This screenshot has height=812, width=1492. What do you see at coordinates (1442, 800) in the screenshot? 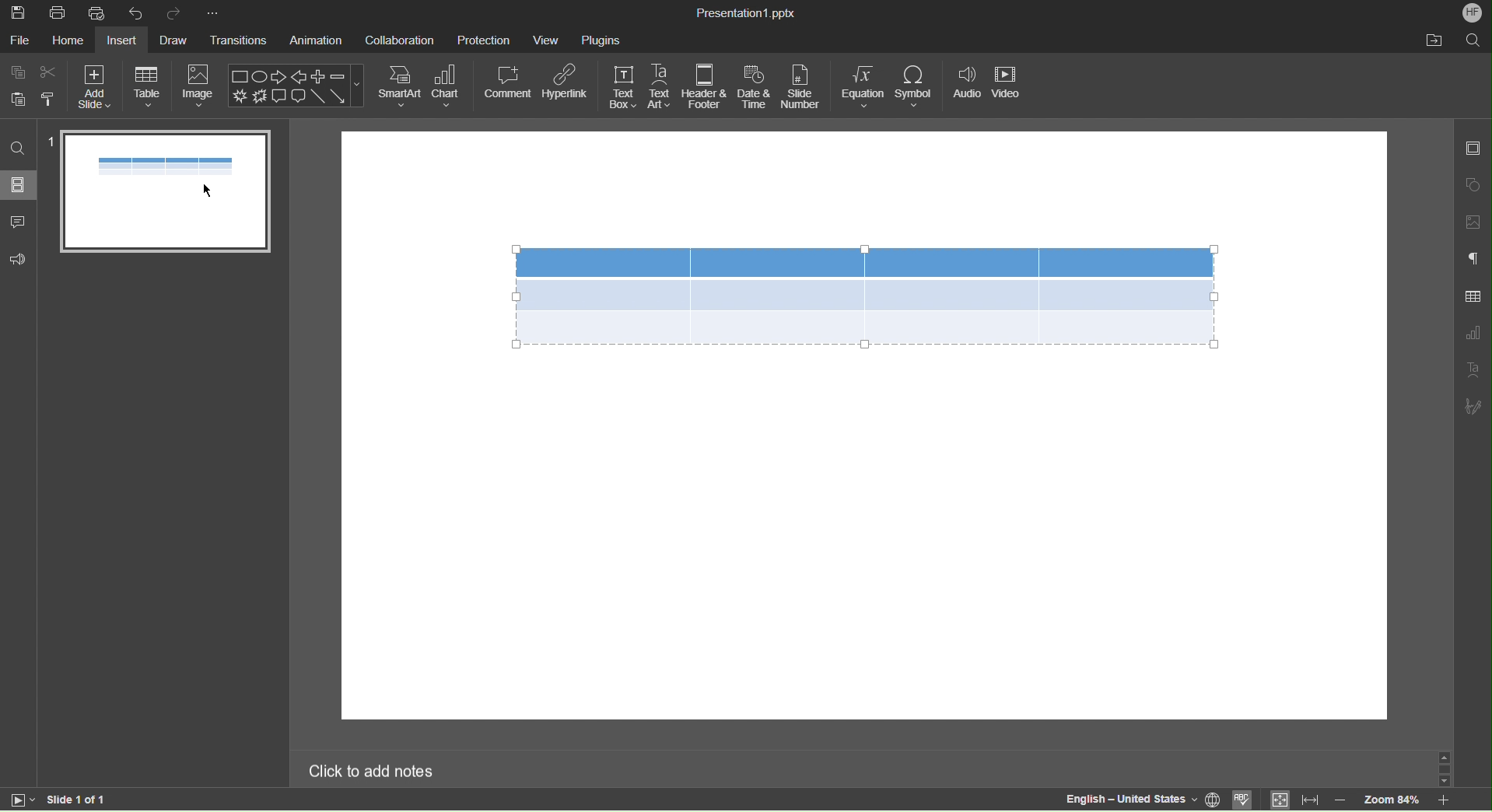
I see `zoom in` at bounding box center [1442, 800].